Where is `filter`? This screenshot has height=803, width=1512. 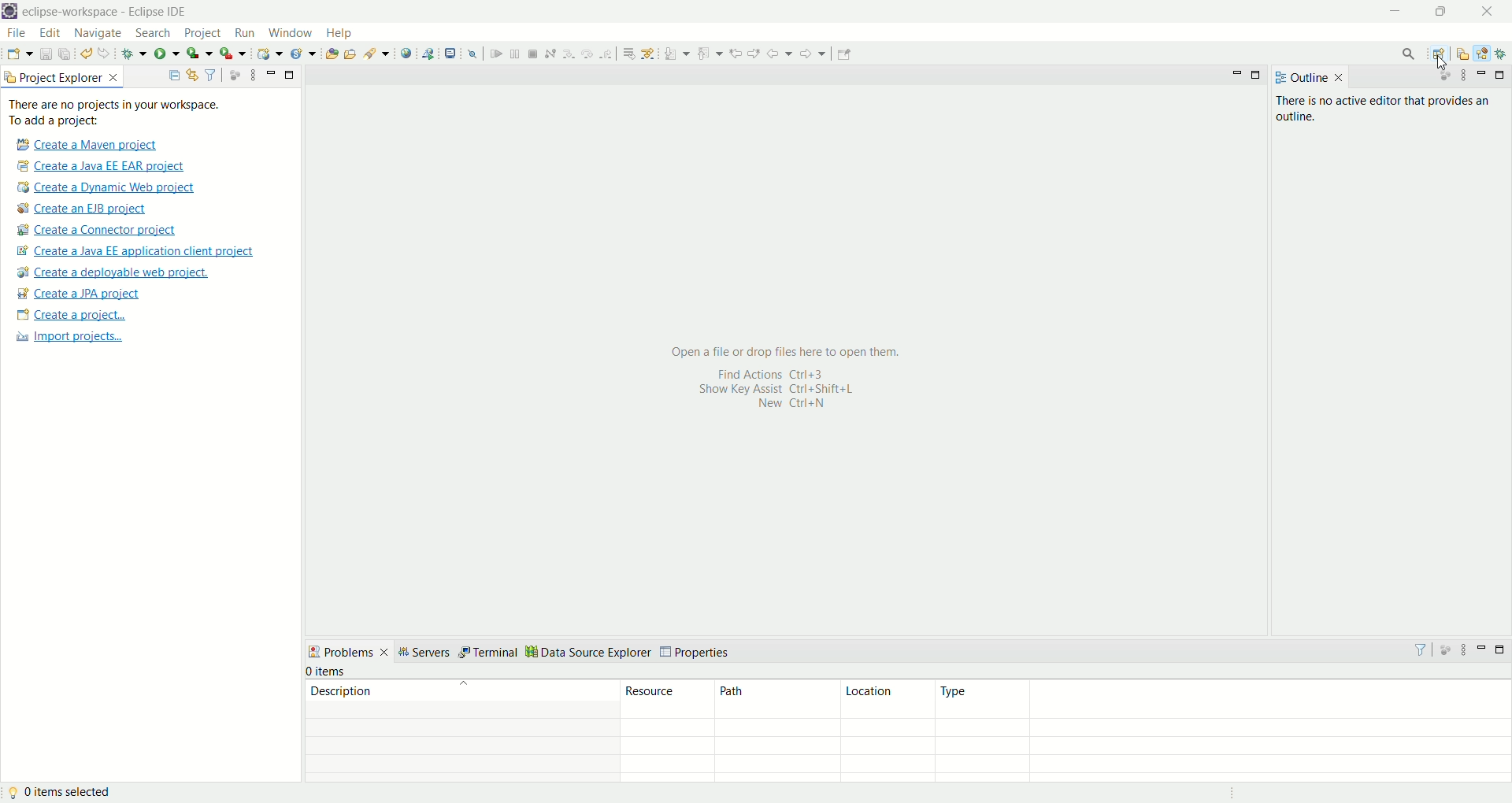
filter is located at coordinates (211, 73).